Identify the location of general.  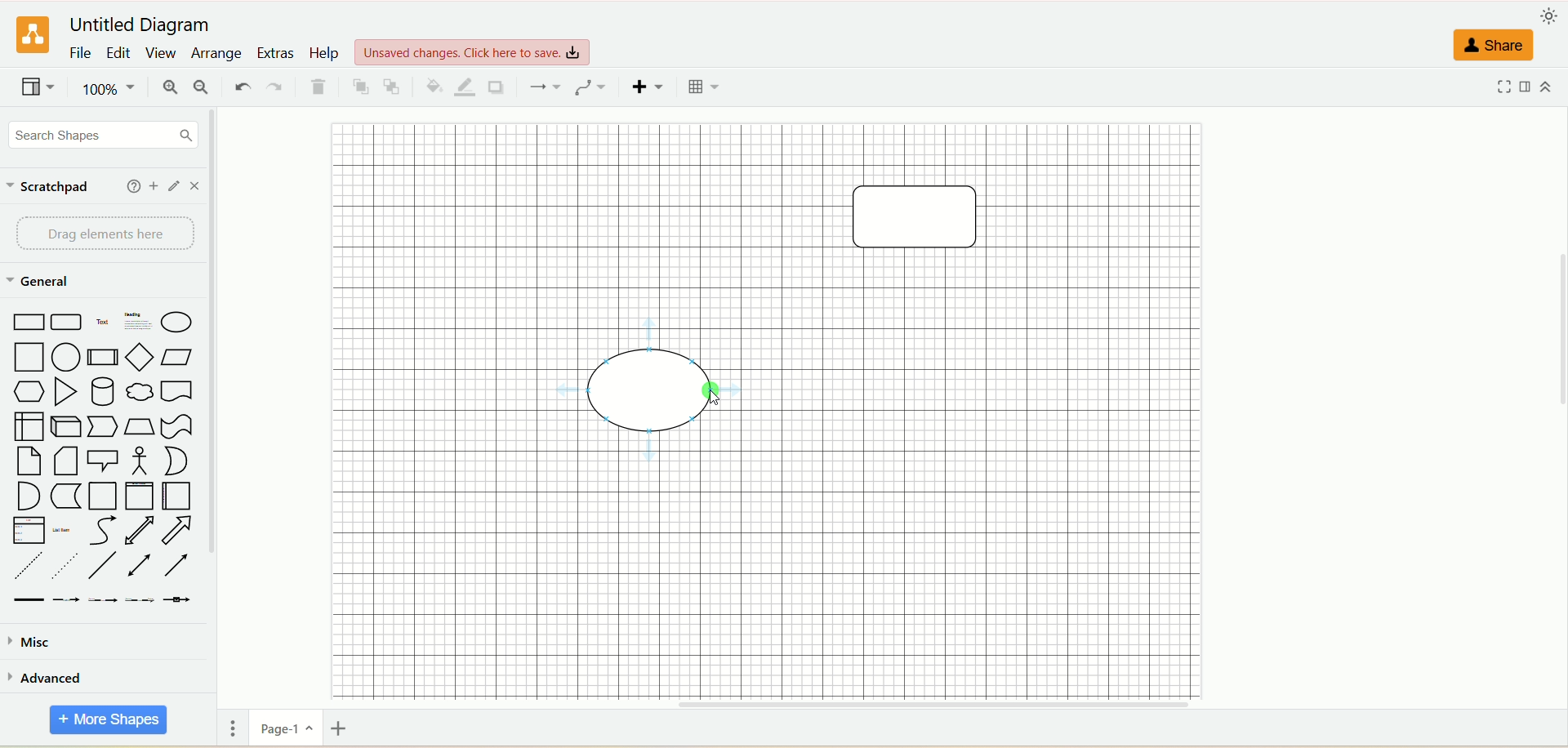
(40, 283).